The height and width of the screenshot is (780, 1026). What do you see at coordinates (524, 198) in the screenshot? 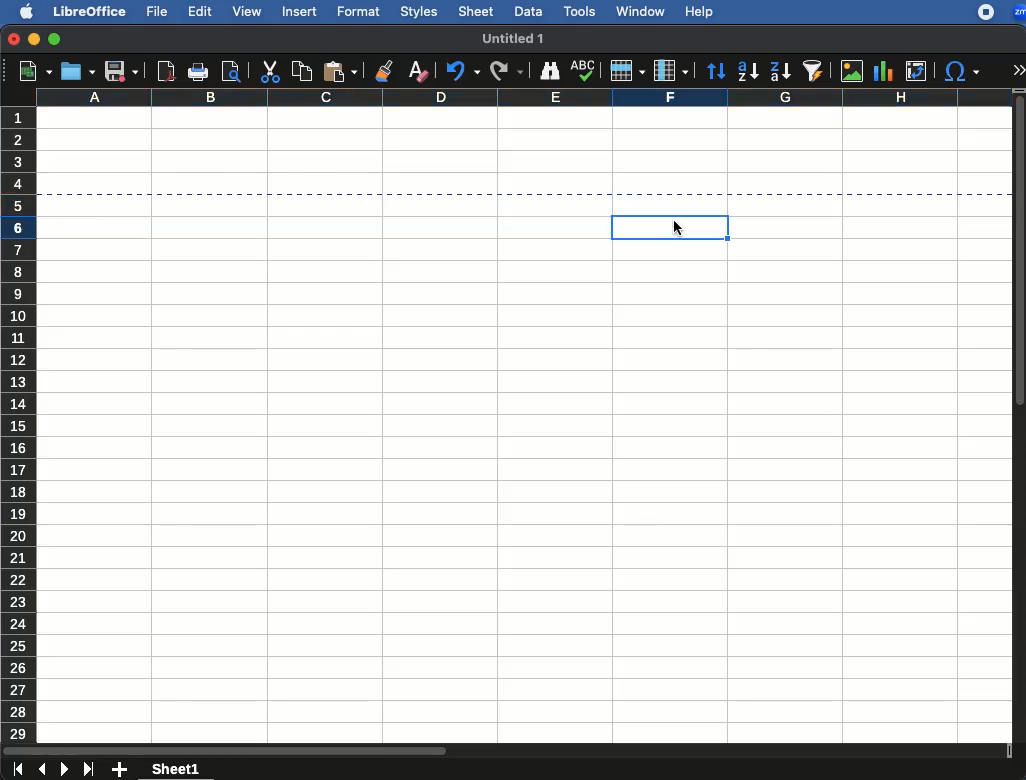
I see `page break` at bounding box center [524, 198].